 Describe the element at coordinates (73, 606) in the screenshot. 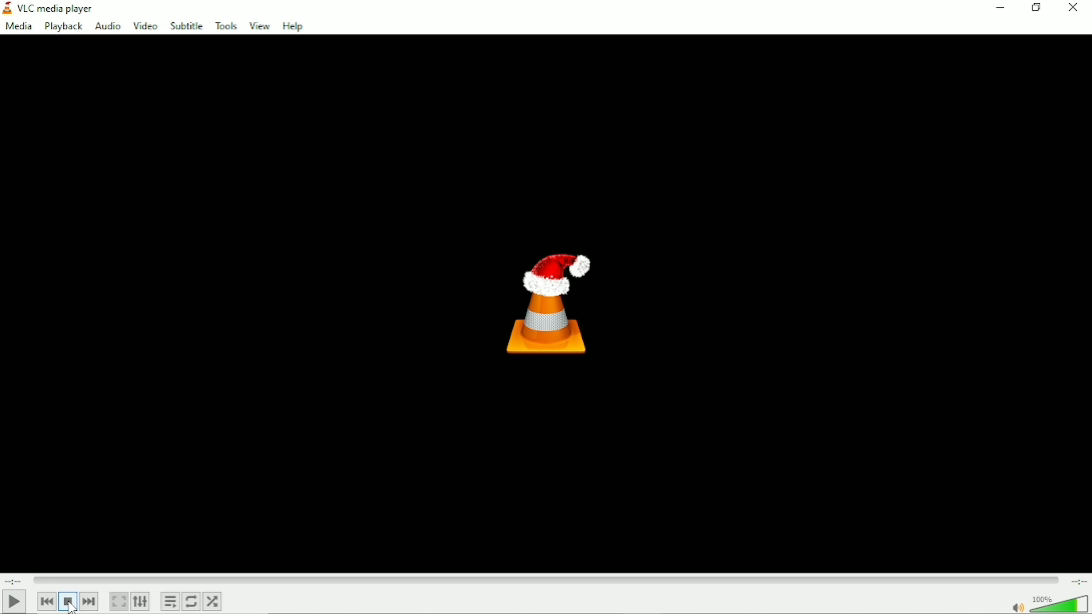

I see `Cursor` at that location.